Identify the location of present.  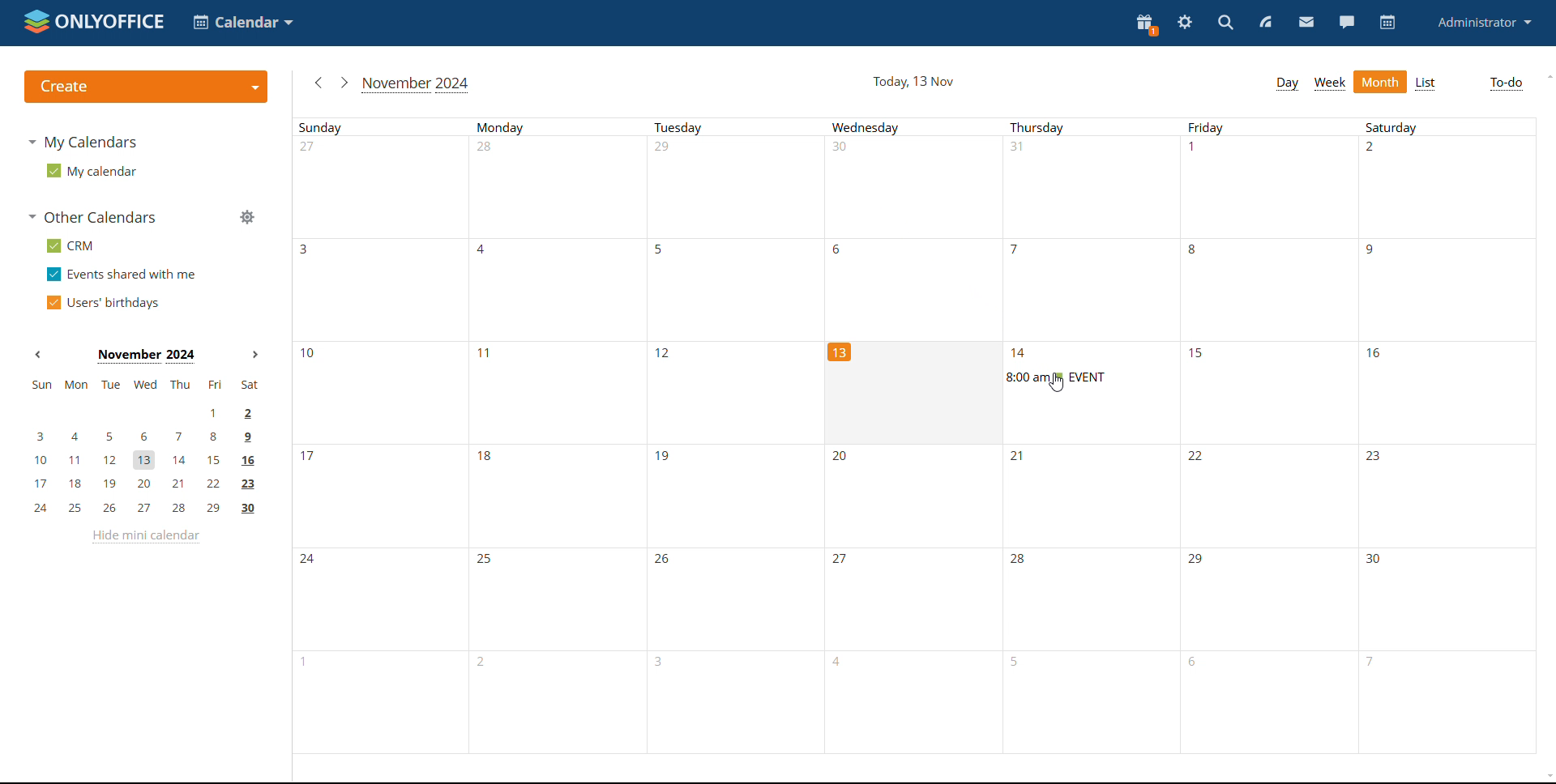
(1145, 25).